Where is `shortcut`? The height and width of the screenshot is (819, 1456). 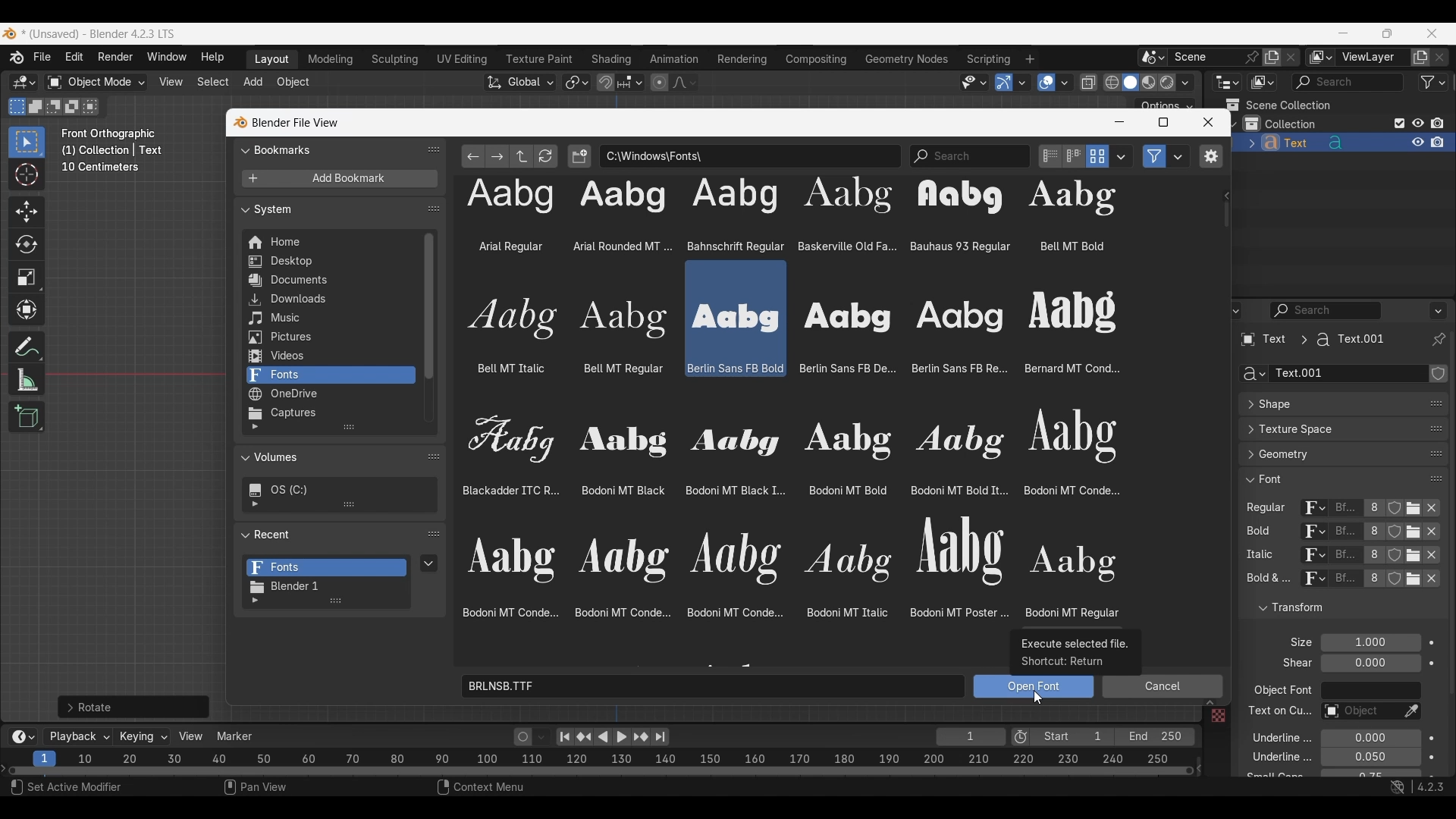 shortcut is located at coordinates (1414, 789).